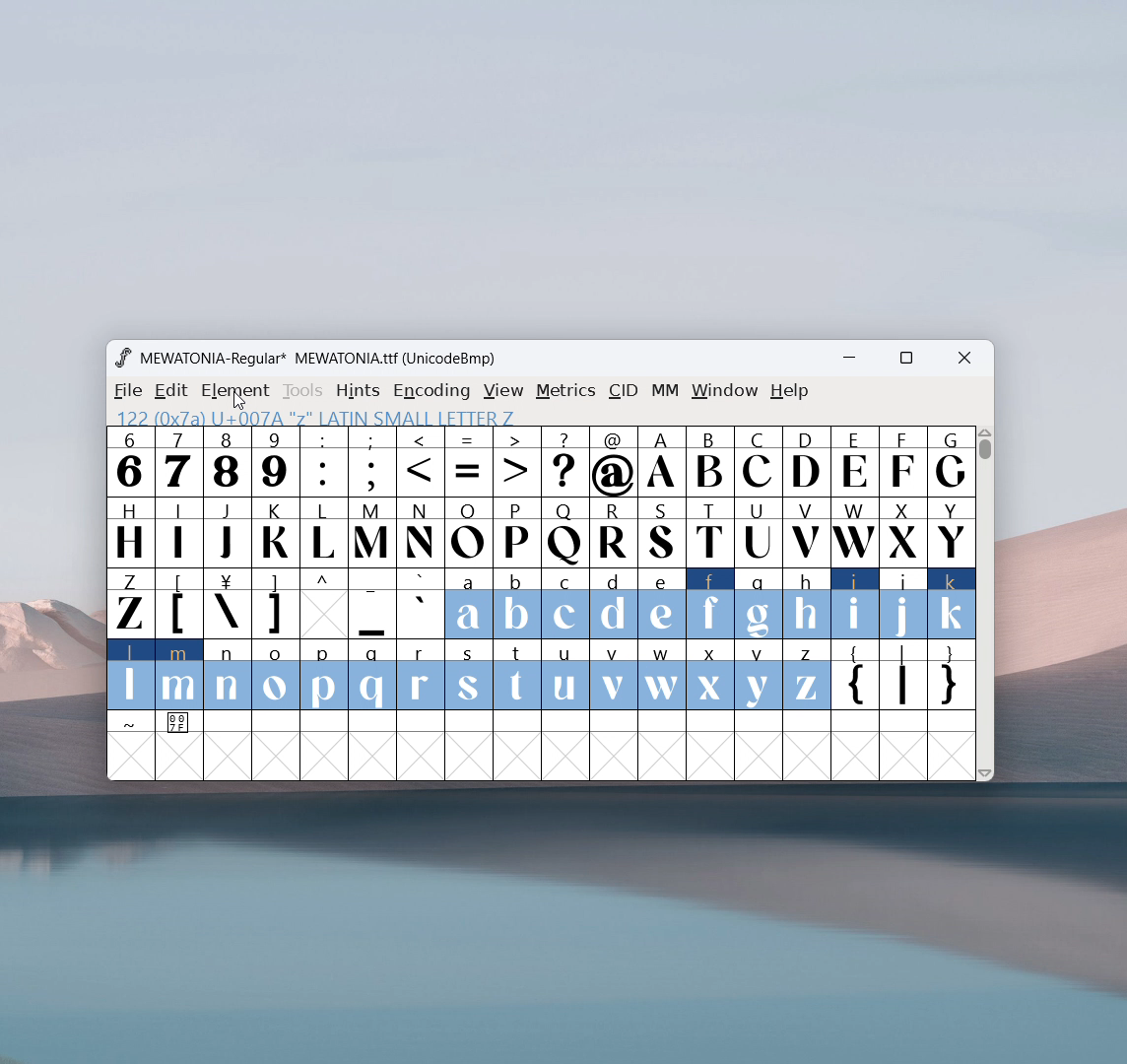 Image resolution: width=1127 pixels, height=1064 pixels. Describe the element at coordinates (953, 677) in the screenshot. I see `}` at that location.